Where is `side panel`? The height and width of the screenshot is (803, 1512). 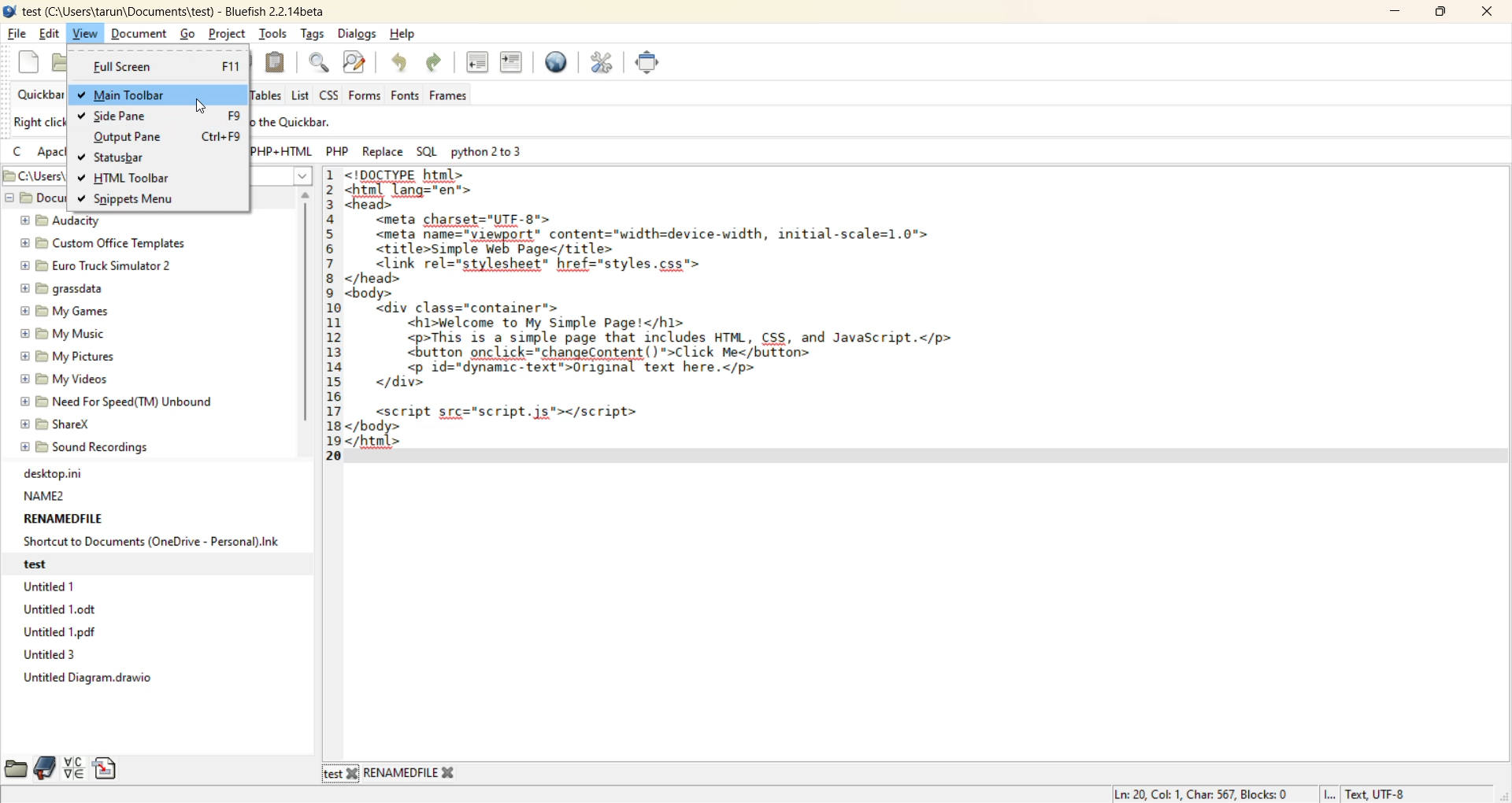 side panel is located at coordinates (128, 117).